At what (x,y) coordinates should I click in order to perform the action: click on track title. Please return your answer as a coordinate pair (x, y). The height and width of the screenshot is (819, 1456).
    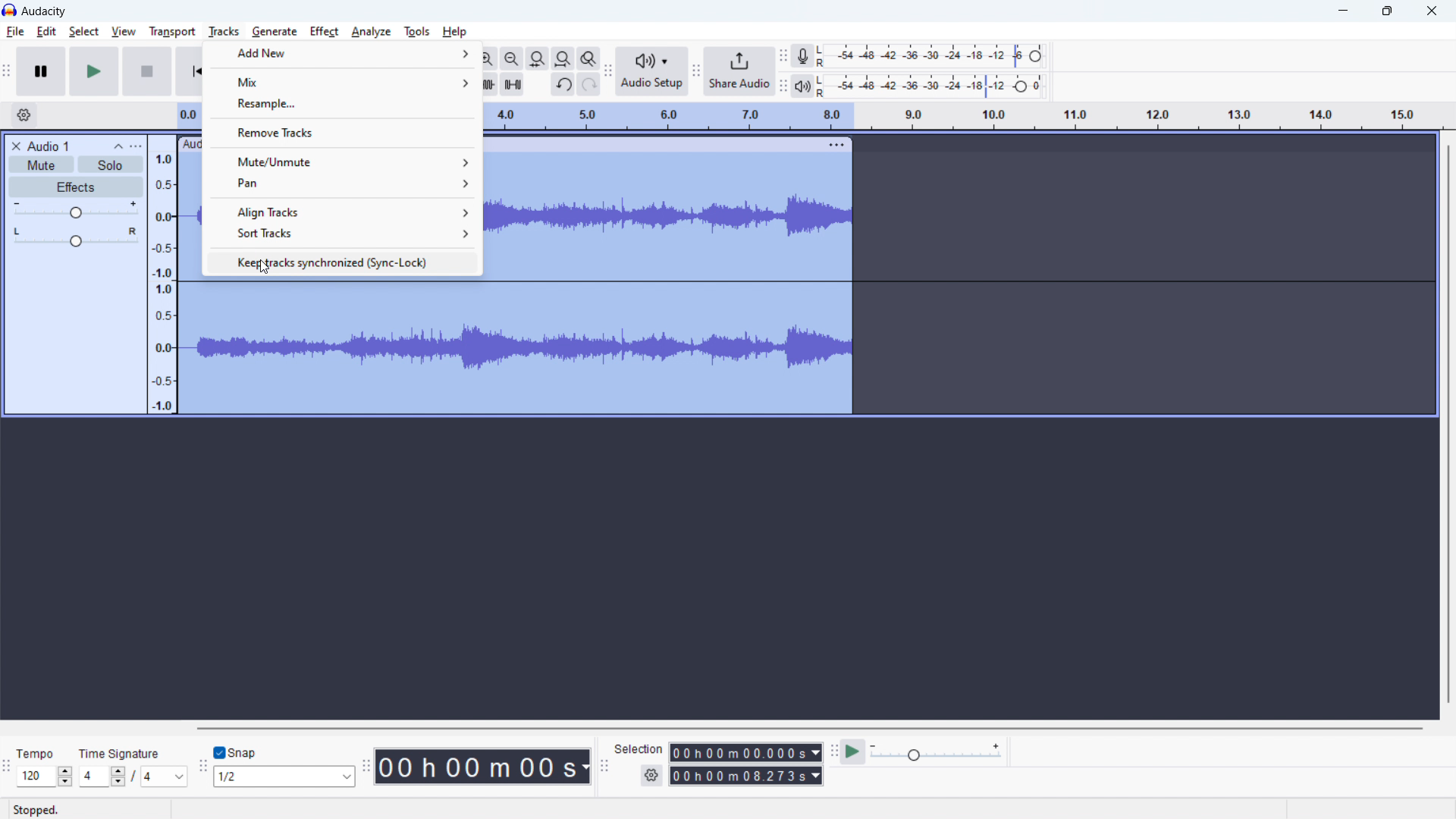
    Looking at the image, I should click on (49, 145).